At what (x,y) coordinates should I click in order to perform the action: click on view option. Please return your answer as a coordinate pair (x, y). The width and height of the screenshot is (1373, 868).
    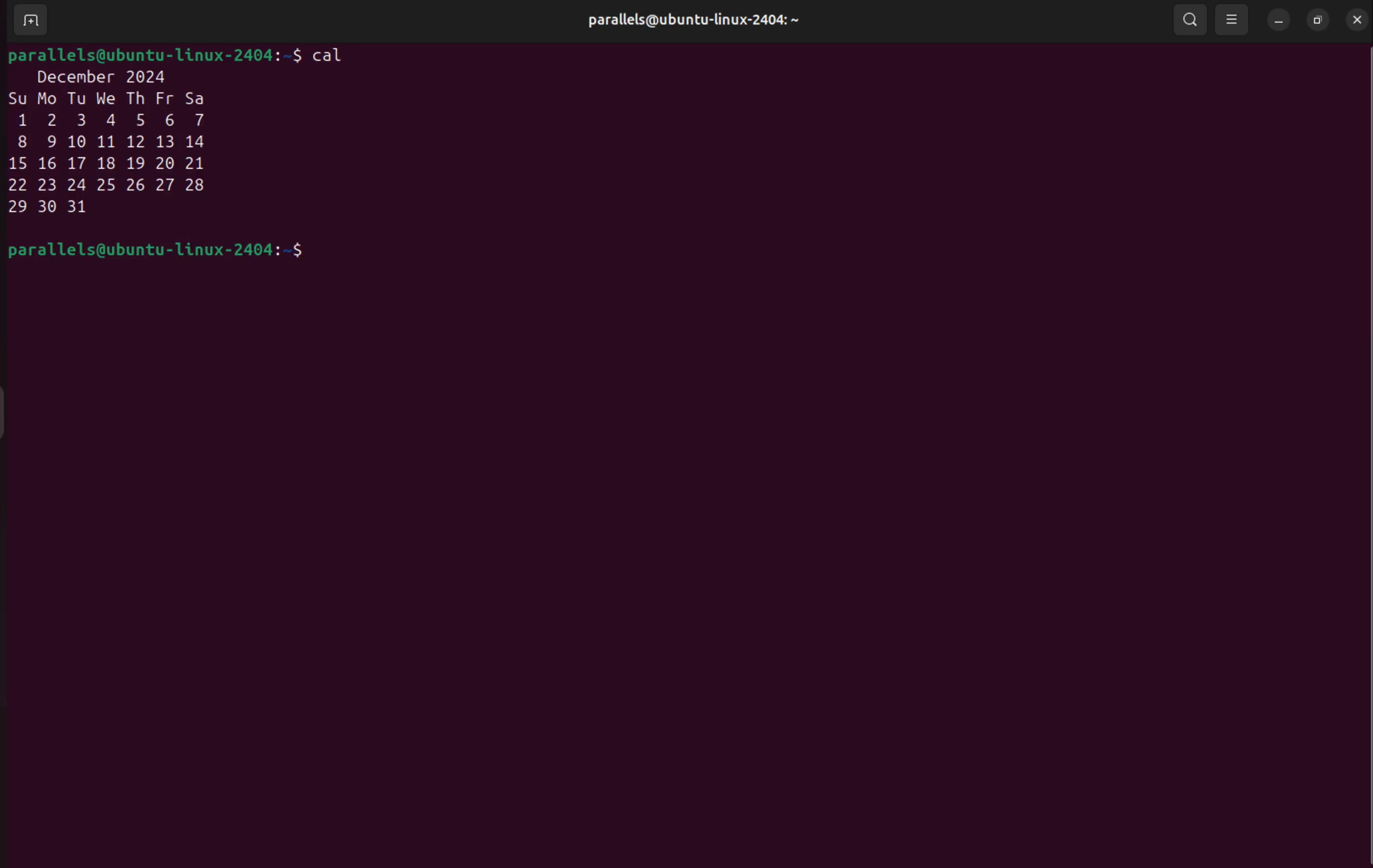
    Looking at the image, I should click on (1233, 22).